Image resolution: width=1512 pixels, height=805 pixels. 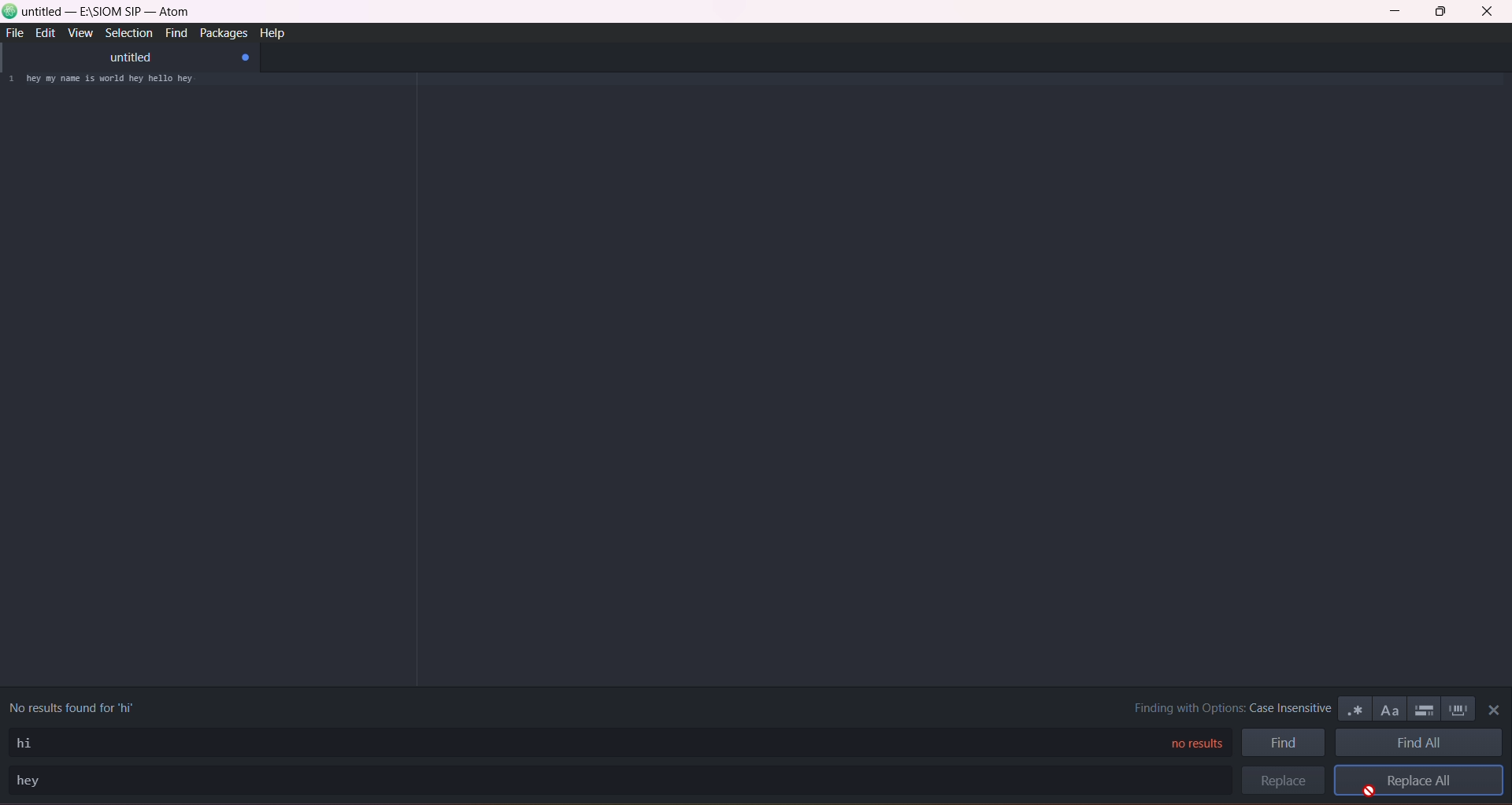 I want to click on file, so click(x=17, y=33).